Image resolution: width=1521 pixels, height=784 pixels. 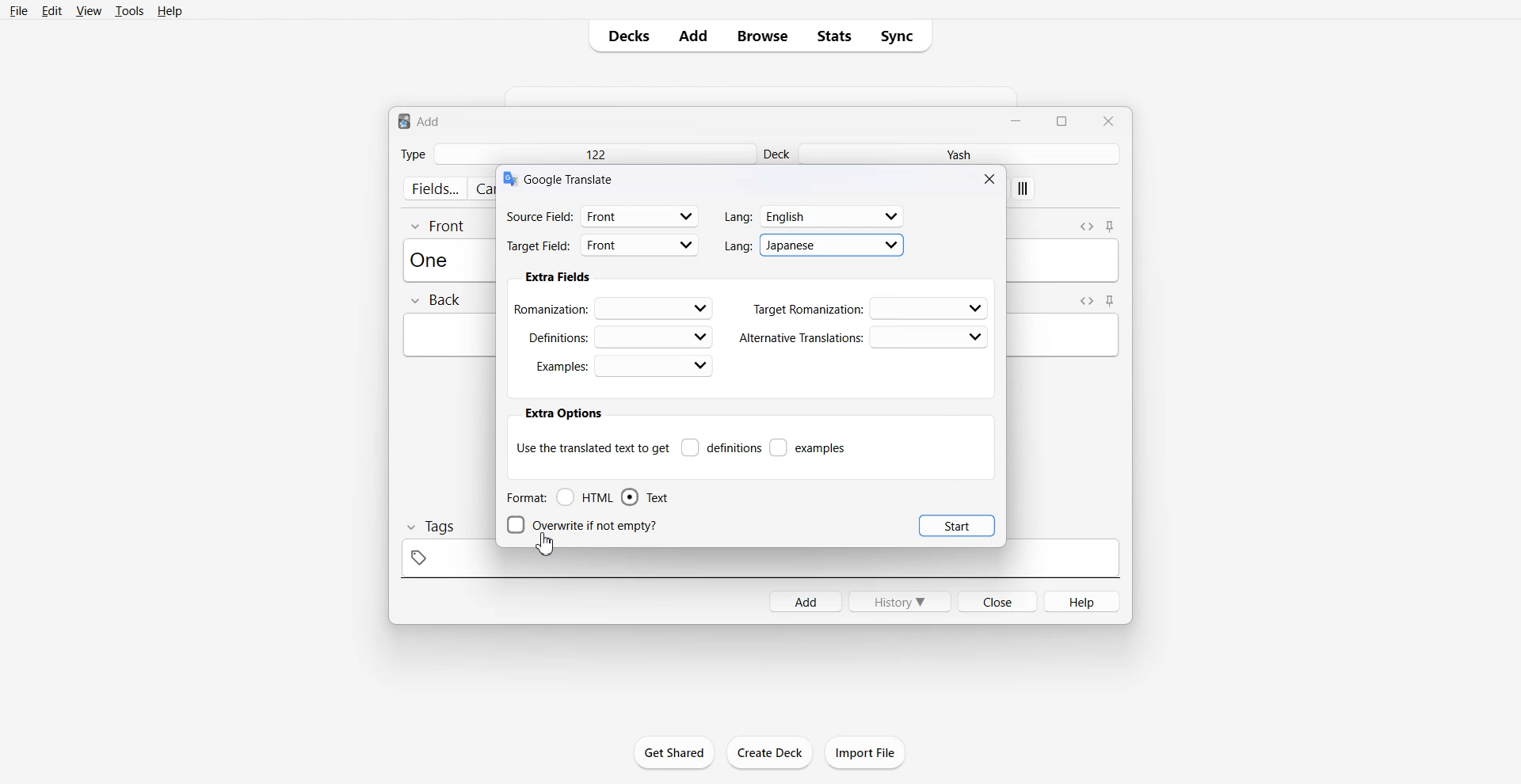 What do you see at coordinates (603, 215) in the screenshot?
I see `Source filed` at bounding box center [603, 215].